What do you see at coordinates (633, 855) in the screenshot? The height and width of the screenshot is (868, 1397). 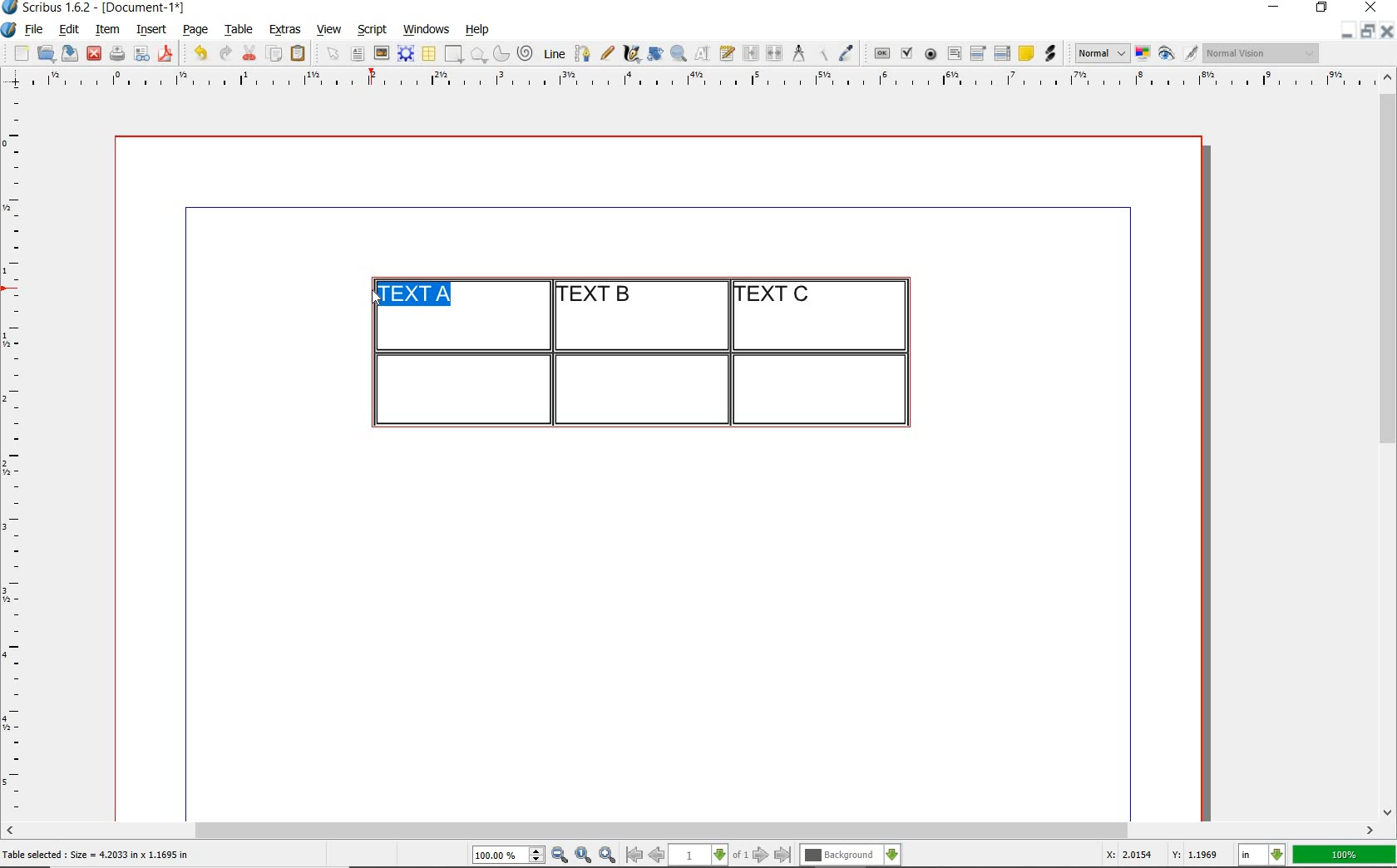 I see `go to first page` at bounding box center [633, 855].